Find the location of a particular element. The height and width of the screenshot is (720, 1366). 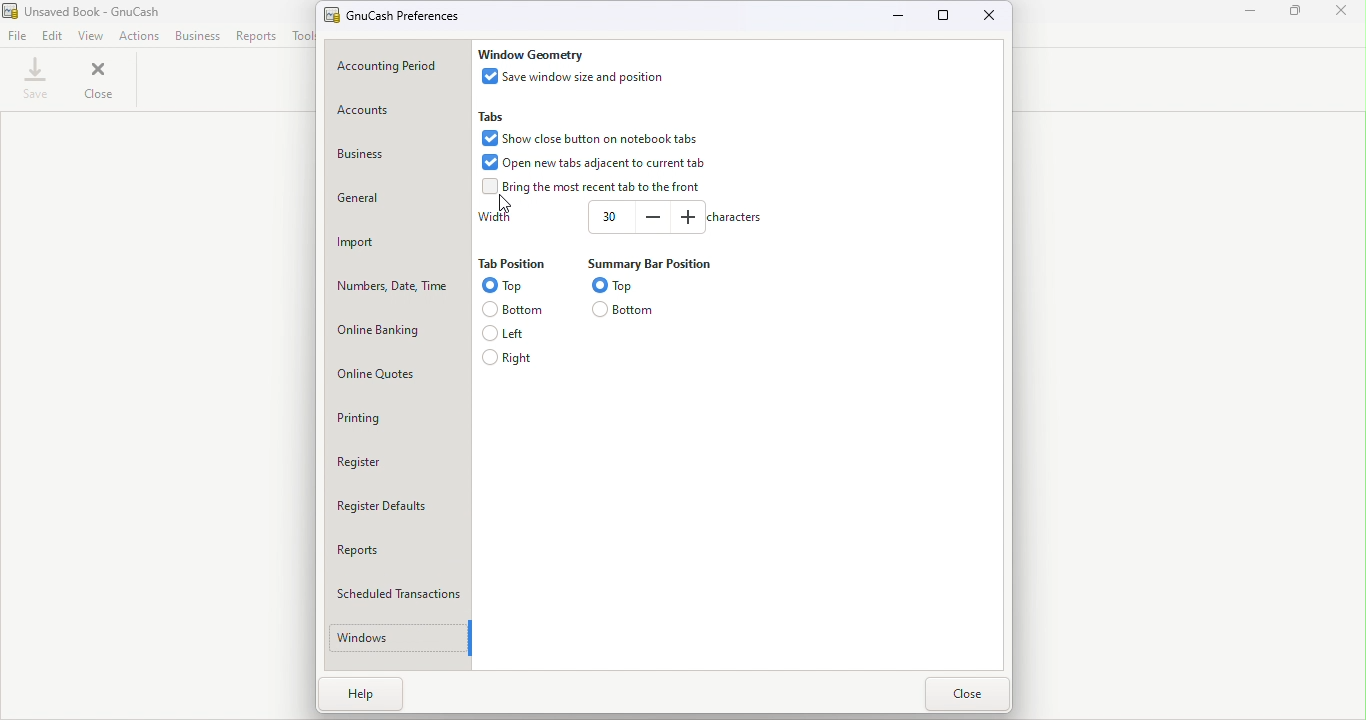

Save is located at coordinates (37, 79).